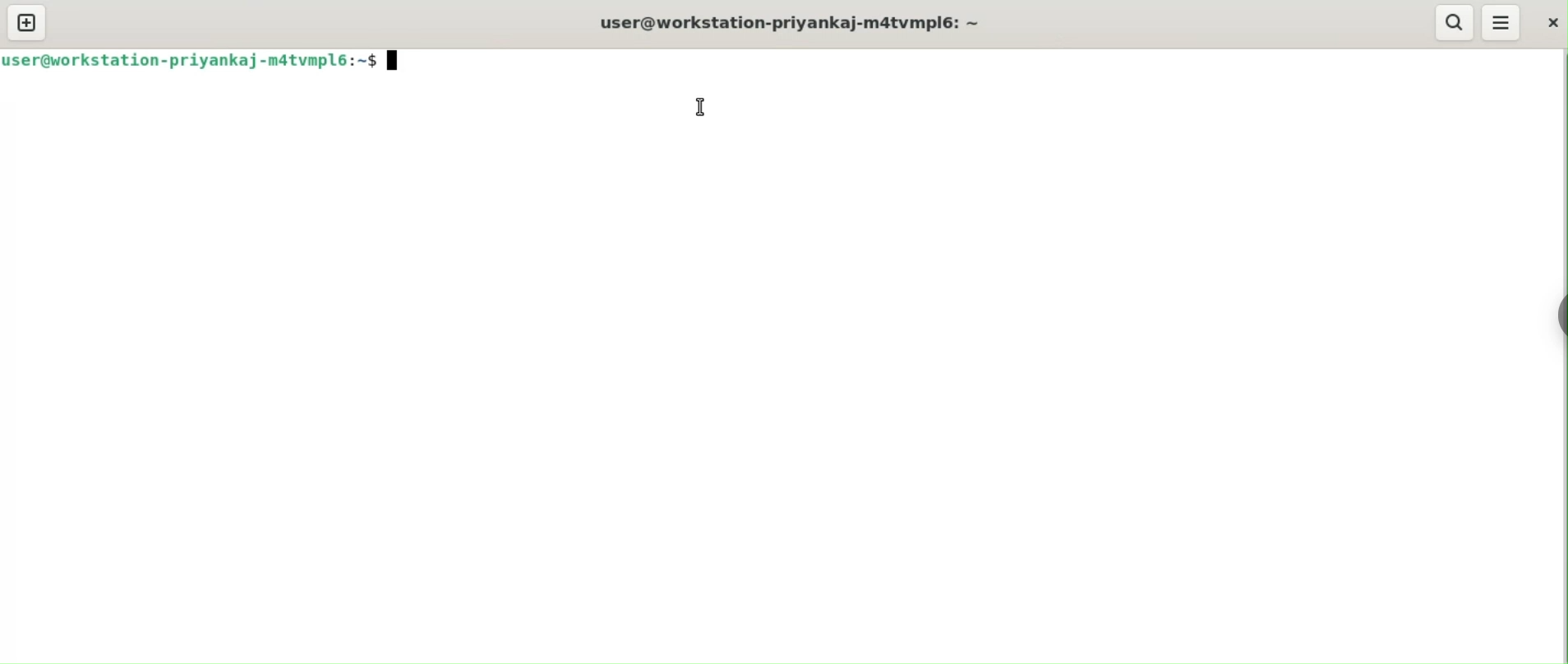 This screenshot has height=664, width=1568. Describe the element at coordinates (699, 107) in the screenshot. I see `cursor` at that location.